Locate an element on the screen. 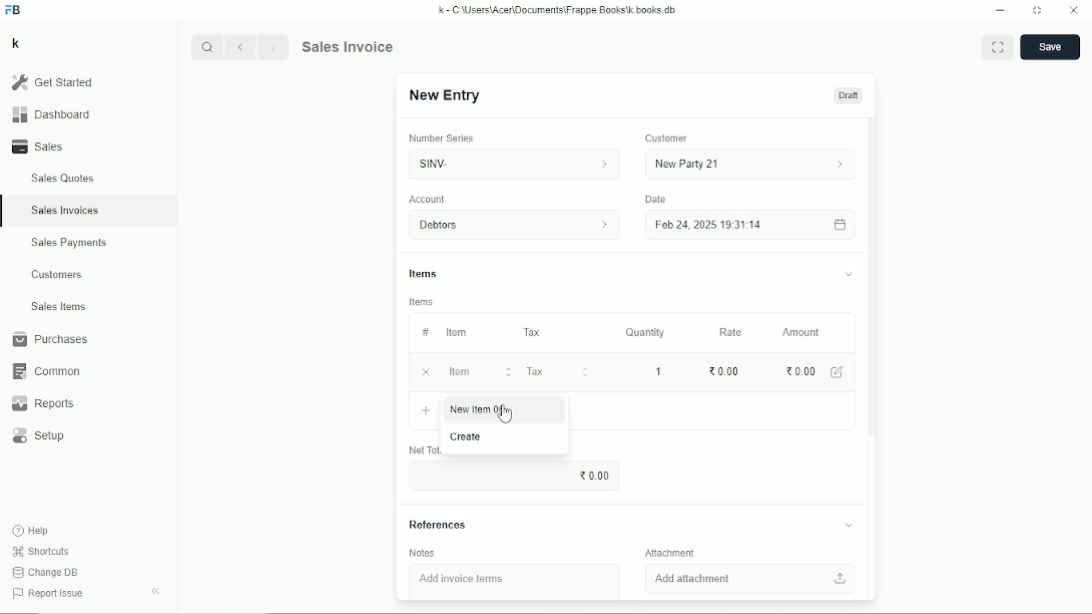 The image size is (1092, 614). Date is located at coordinates (655, 199).